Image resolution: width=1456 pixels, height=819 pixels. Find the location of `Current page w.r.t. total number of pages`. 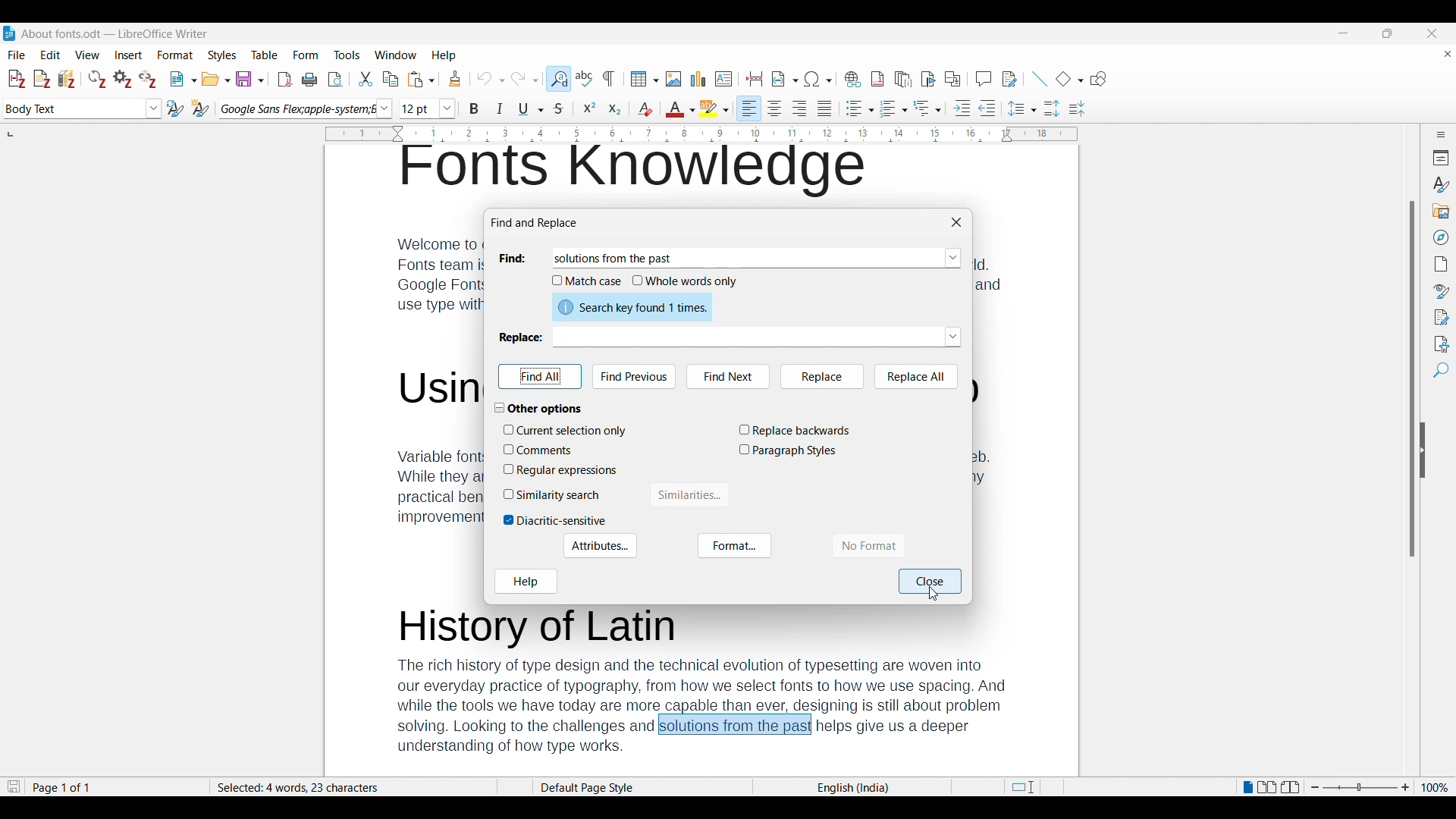

Current page w.r.t. total number of pages is located at coordinates (115, 788).